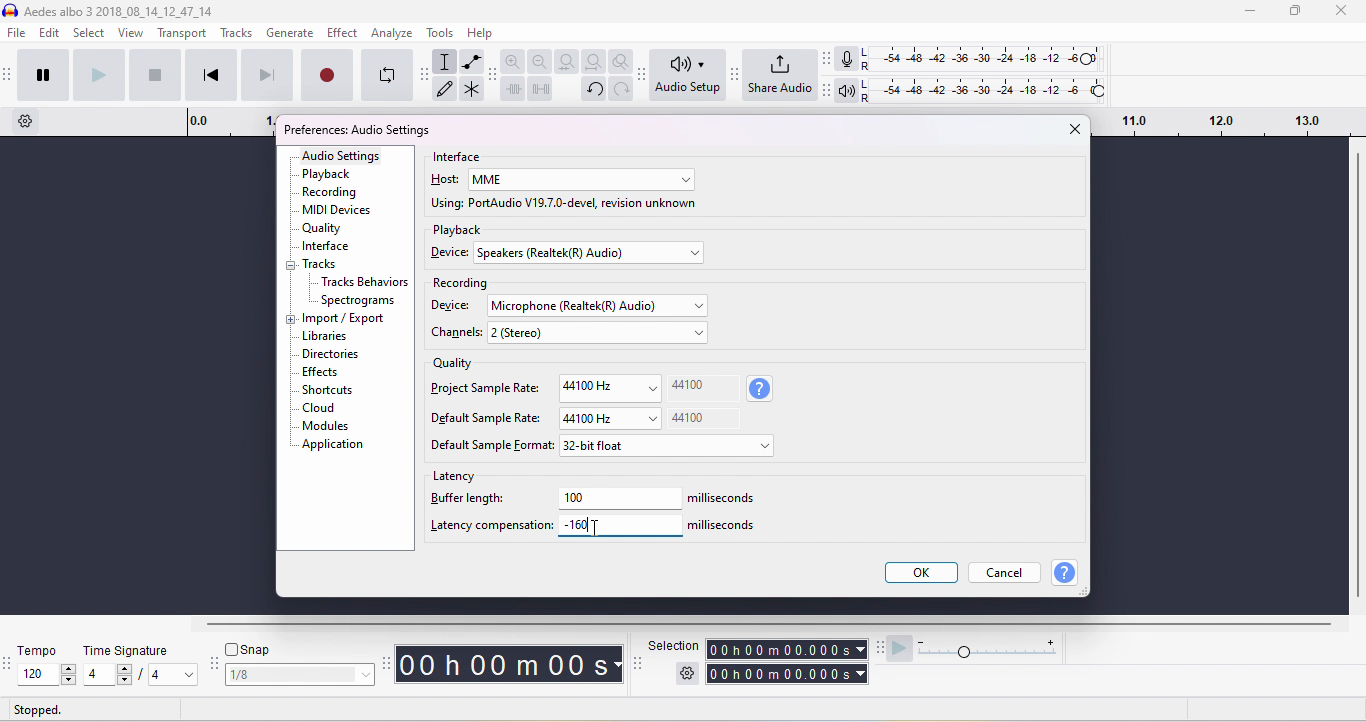 The height and width of the screenshot is (722, 1366). Describe the element at coordinates (736, 75) in the screenshot. I see `Audacity share audio toolbar` at that location.